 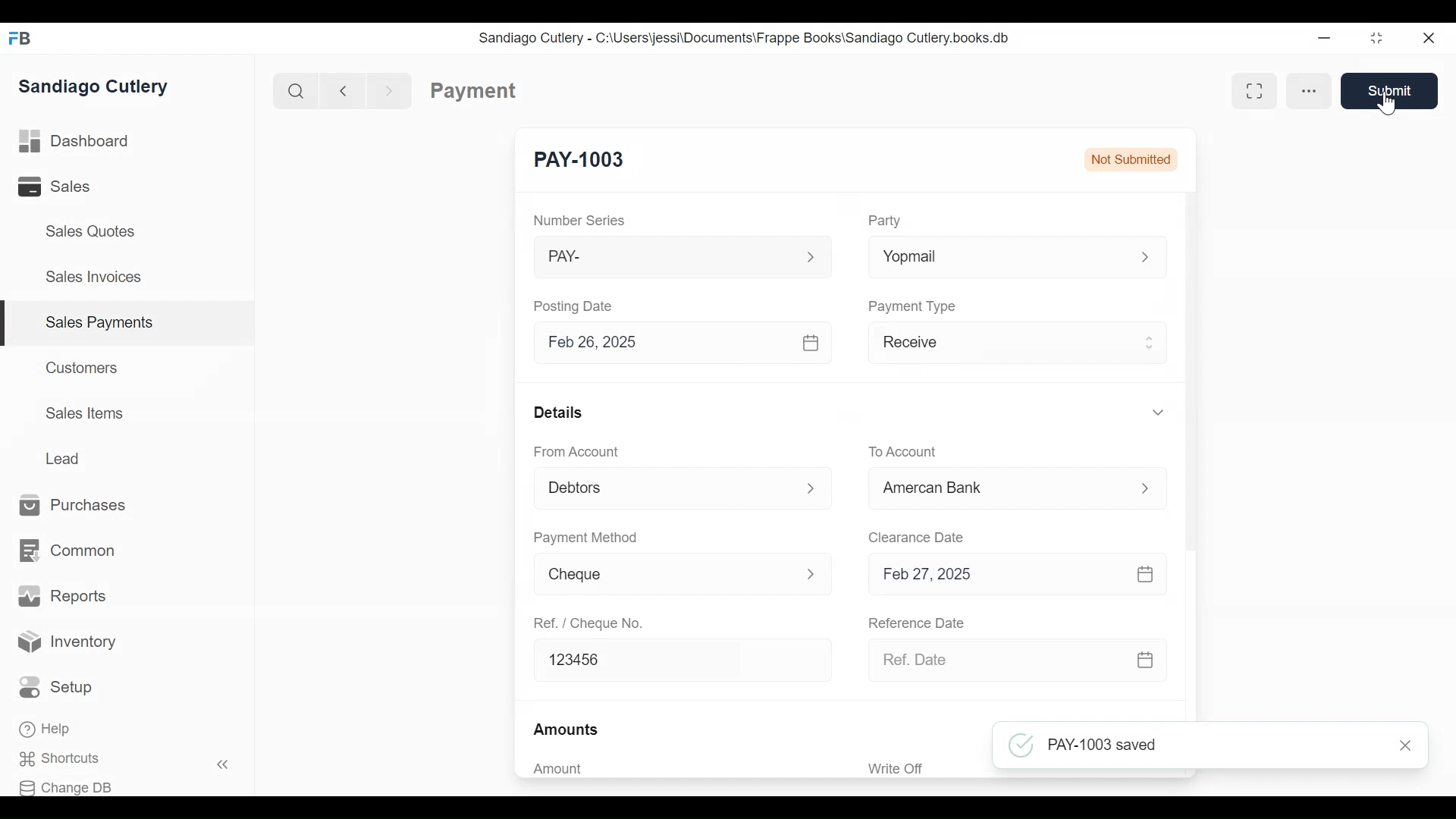 What do you see at coordinates (21, 38) in the screenshot?
I see `Frappe Books` at bounding box center [21, 38].